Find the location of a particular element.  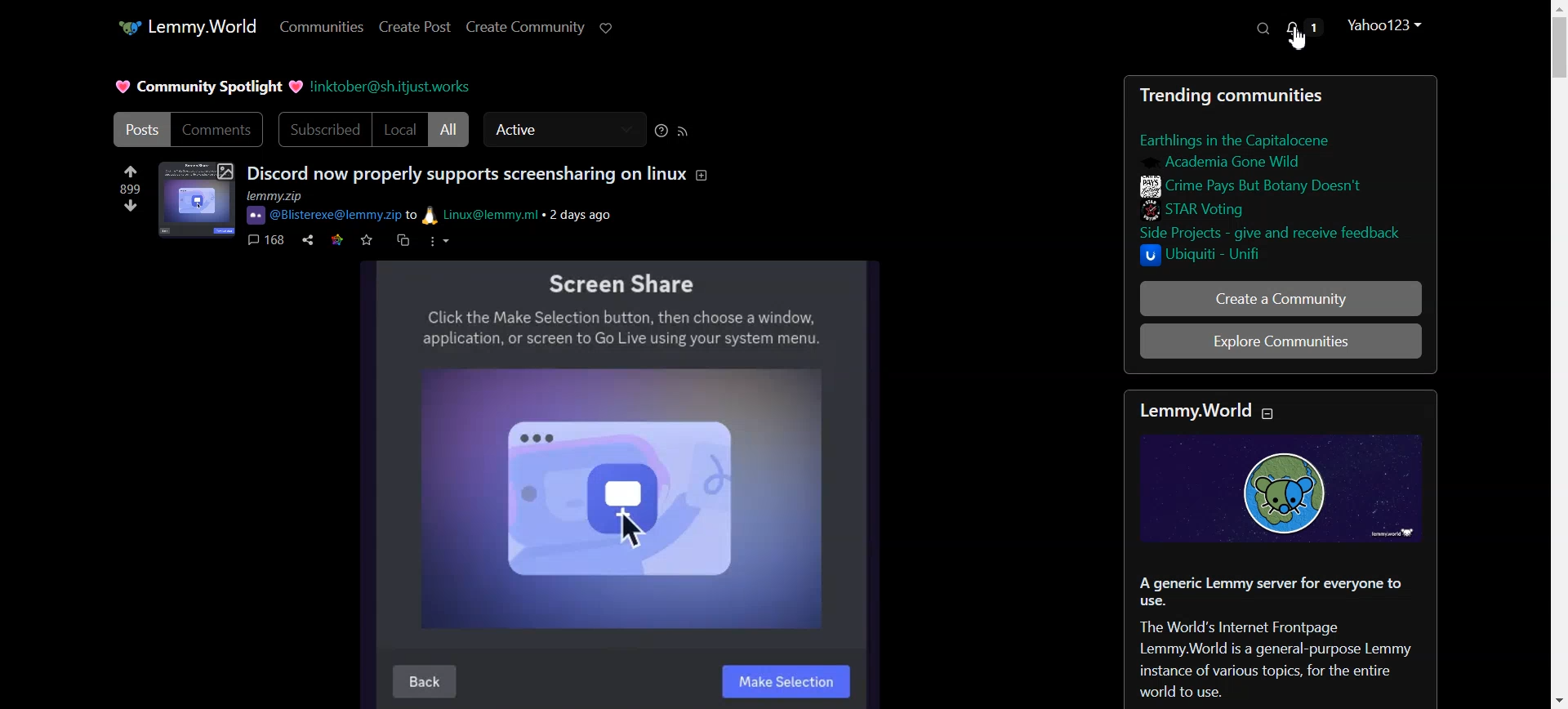

More is located at coordinates (438, 242).